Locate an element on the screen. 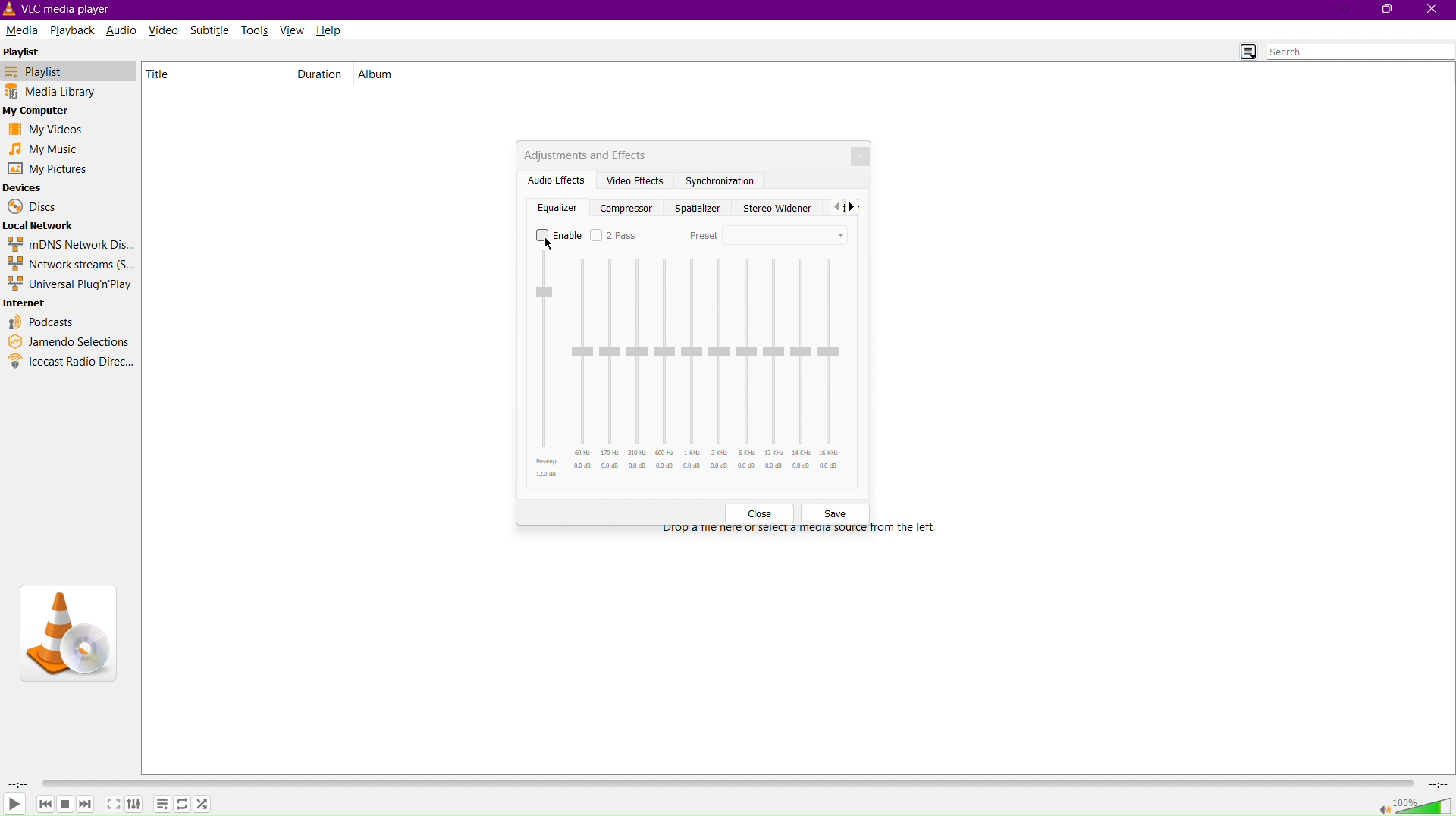 Image resolution: width=1456 pixels, height=816 pixels. 170 Hz is located at coordinates (609, 363).